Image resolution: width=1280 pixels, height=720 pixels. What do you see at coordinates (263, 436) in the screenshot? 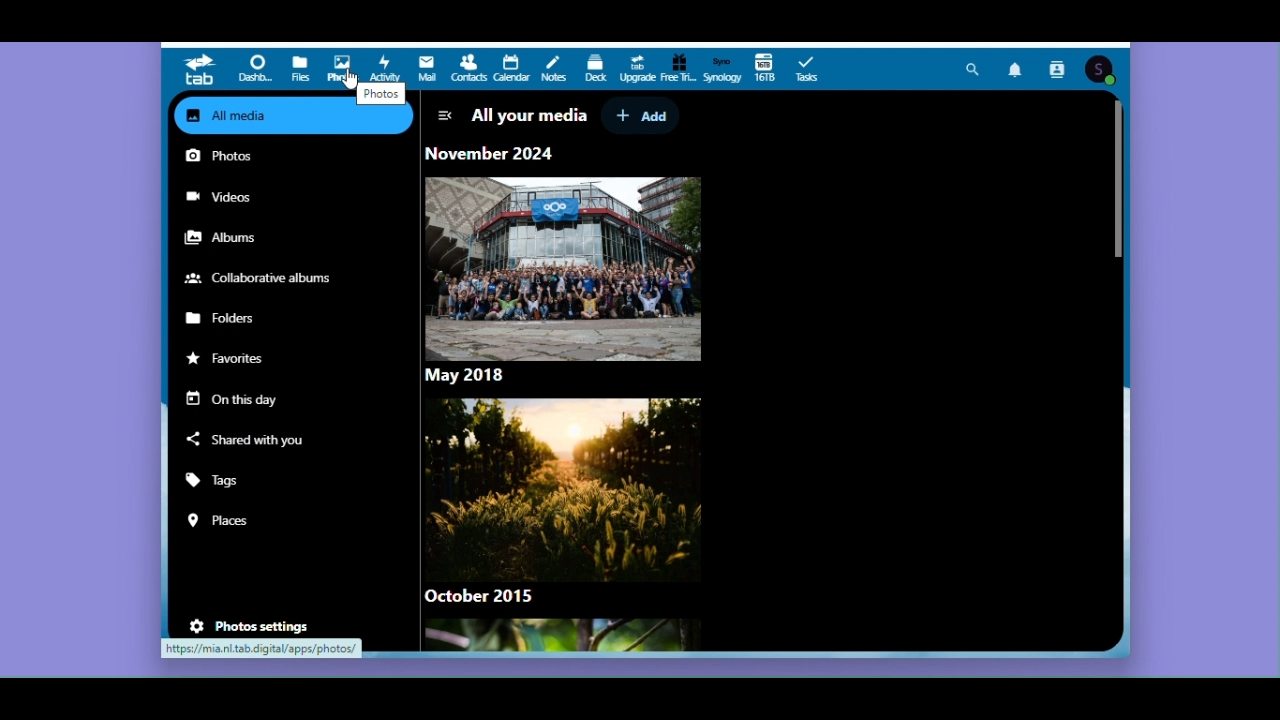
I see `Share with you` at bounding box center [263, 436].